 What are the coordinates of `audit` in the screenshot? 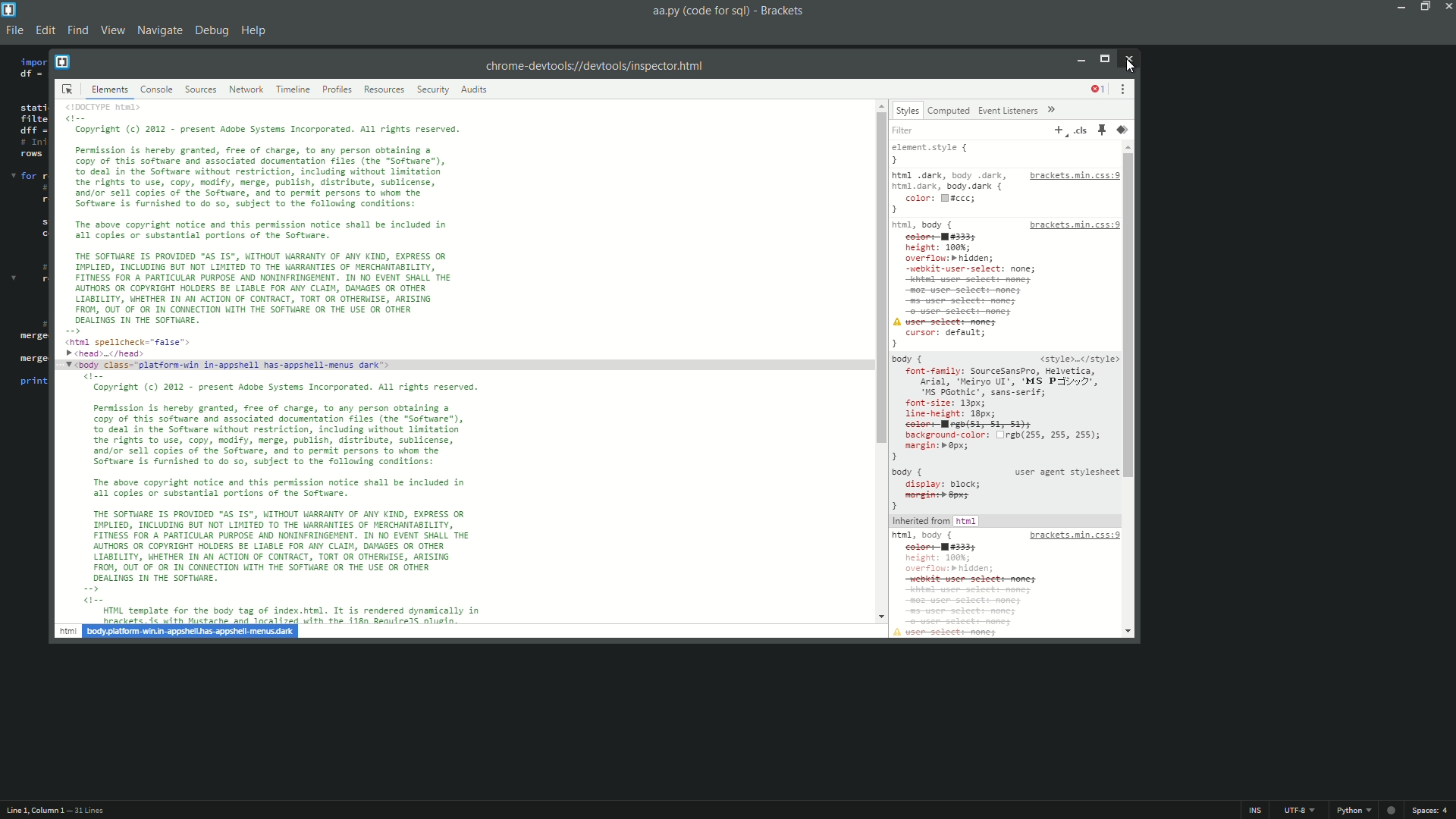 It's located at (474, 89).